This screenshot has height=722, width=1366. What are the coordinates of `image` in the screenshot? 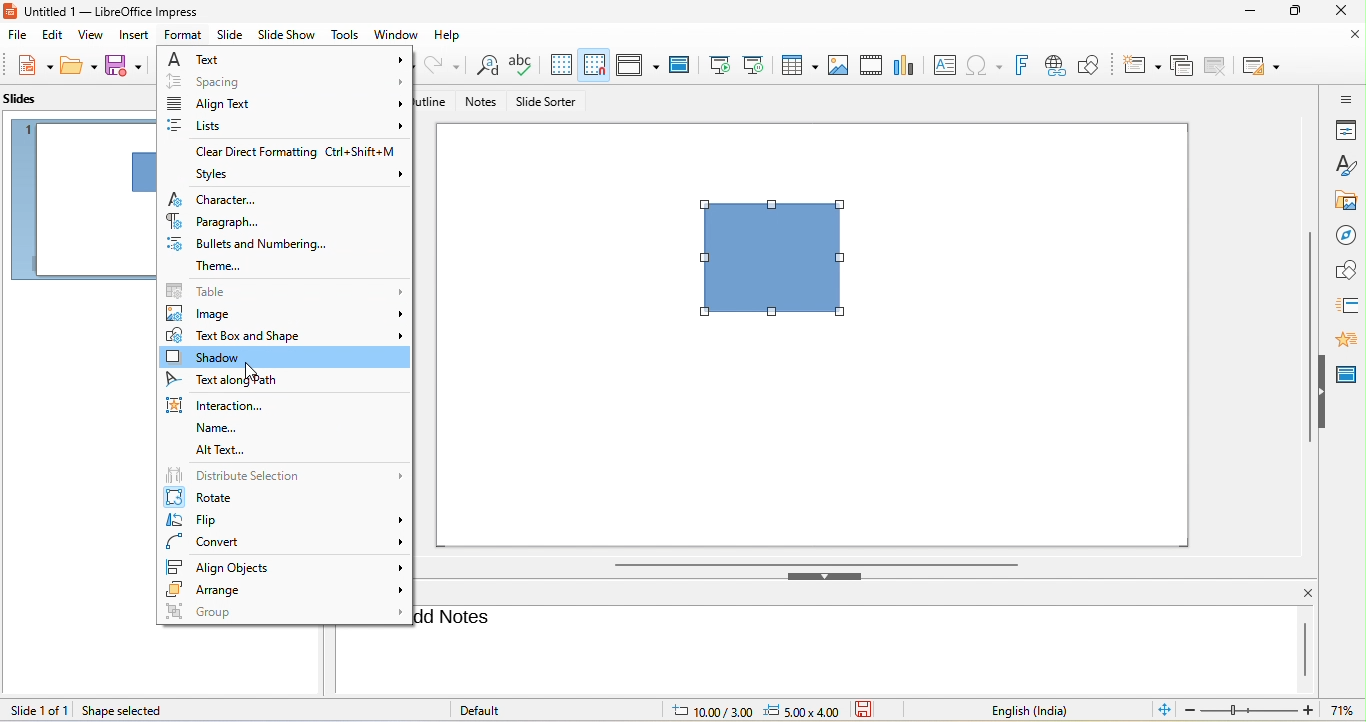 It's located at (286, 314).